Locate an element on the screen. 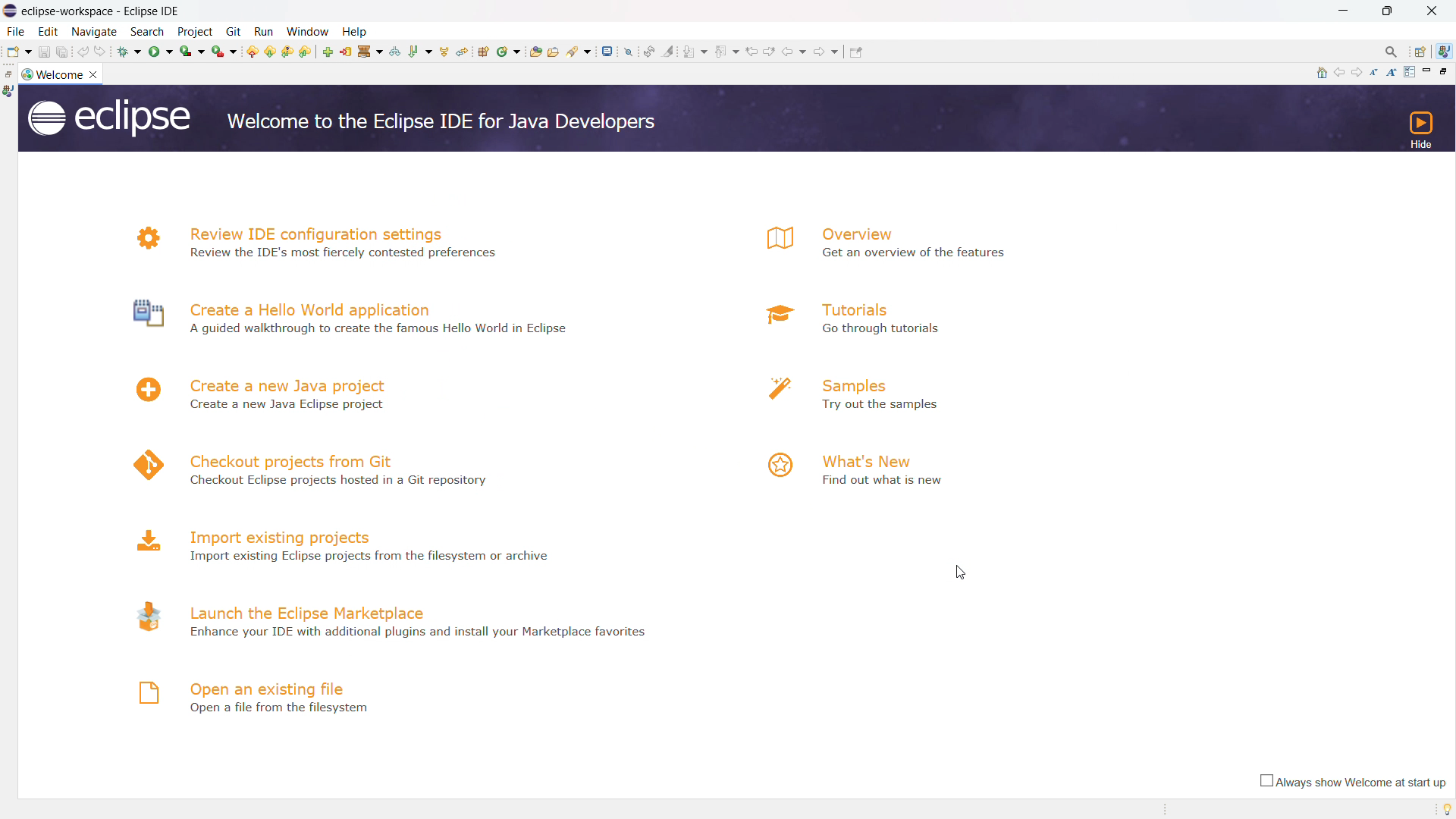 The width and height of the screenshot is (1456, 819). Import existing Eclipse projects from the filesystem or archive is located at coordinates (379, 555).